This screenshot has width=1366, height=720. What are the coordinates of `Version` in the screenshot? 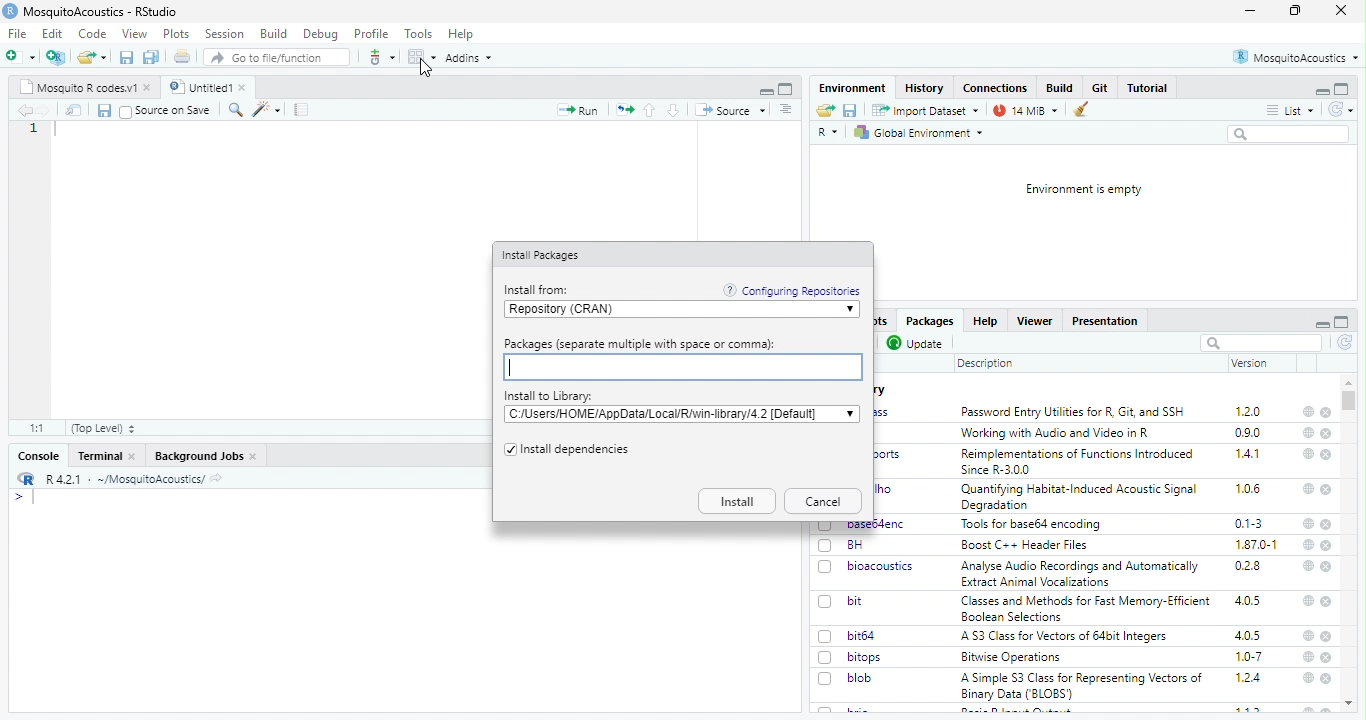 It's located at (1251, 363).